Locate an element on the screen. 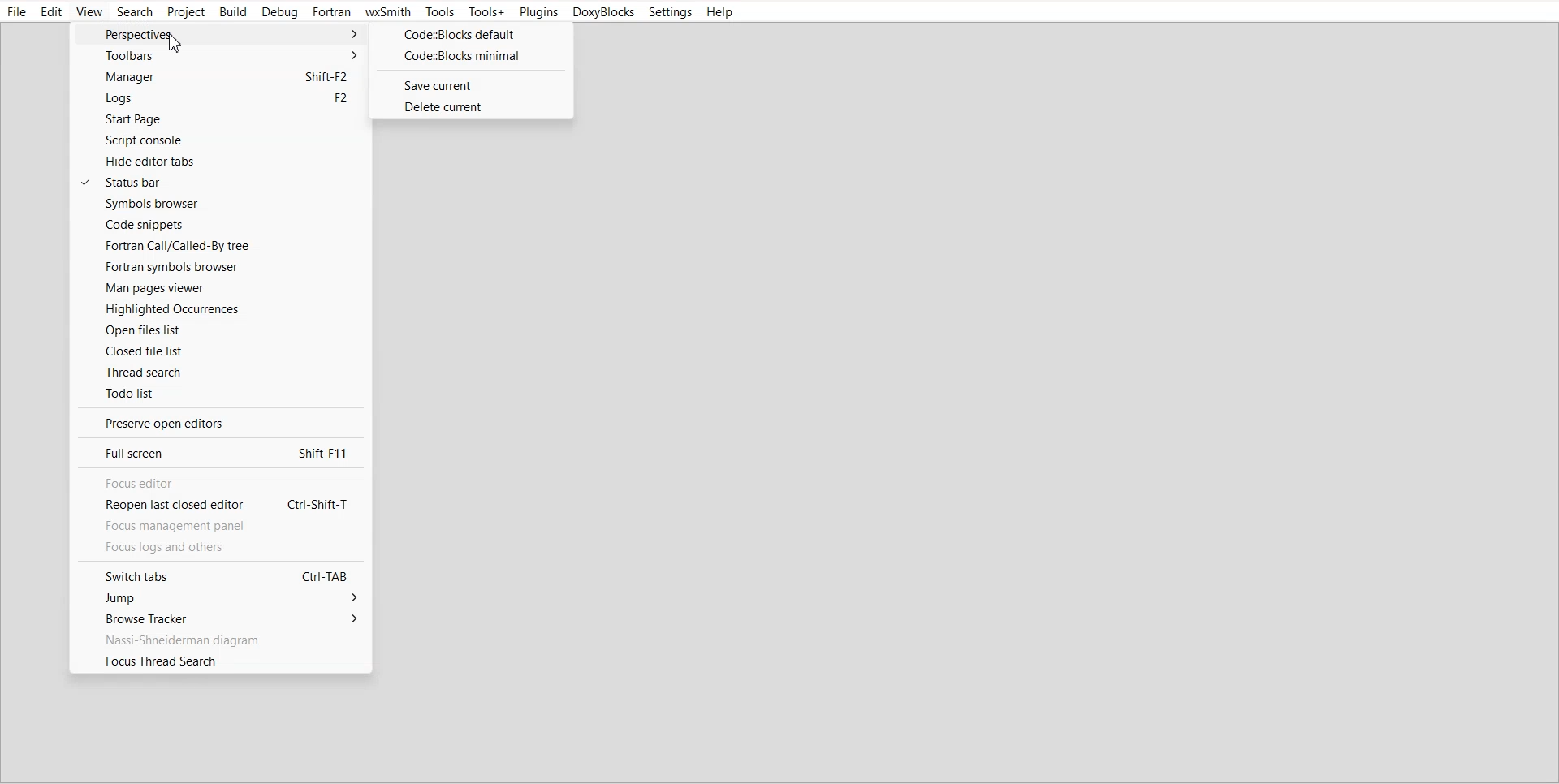 The image size is (1559, 784). Fortran symbols browser is located at coordinates (219, 267).